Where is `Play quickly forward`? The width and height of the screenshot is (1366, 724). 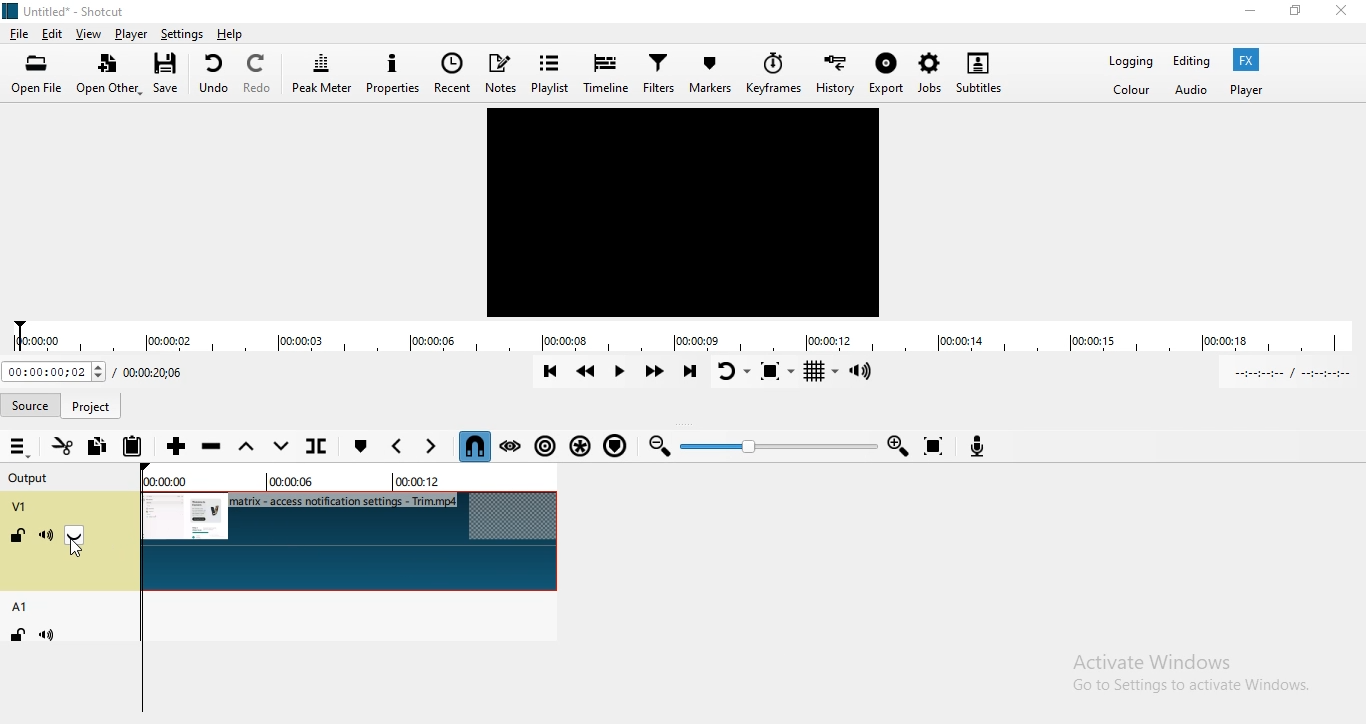 Play quickly forward is located at coordinates (654, 375).